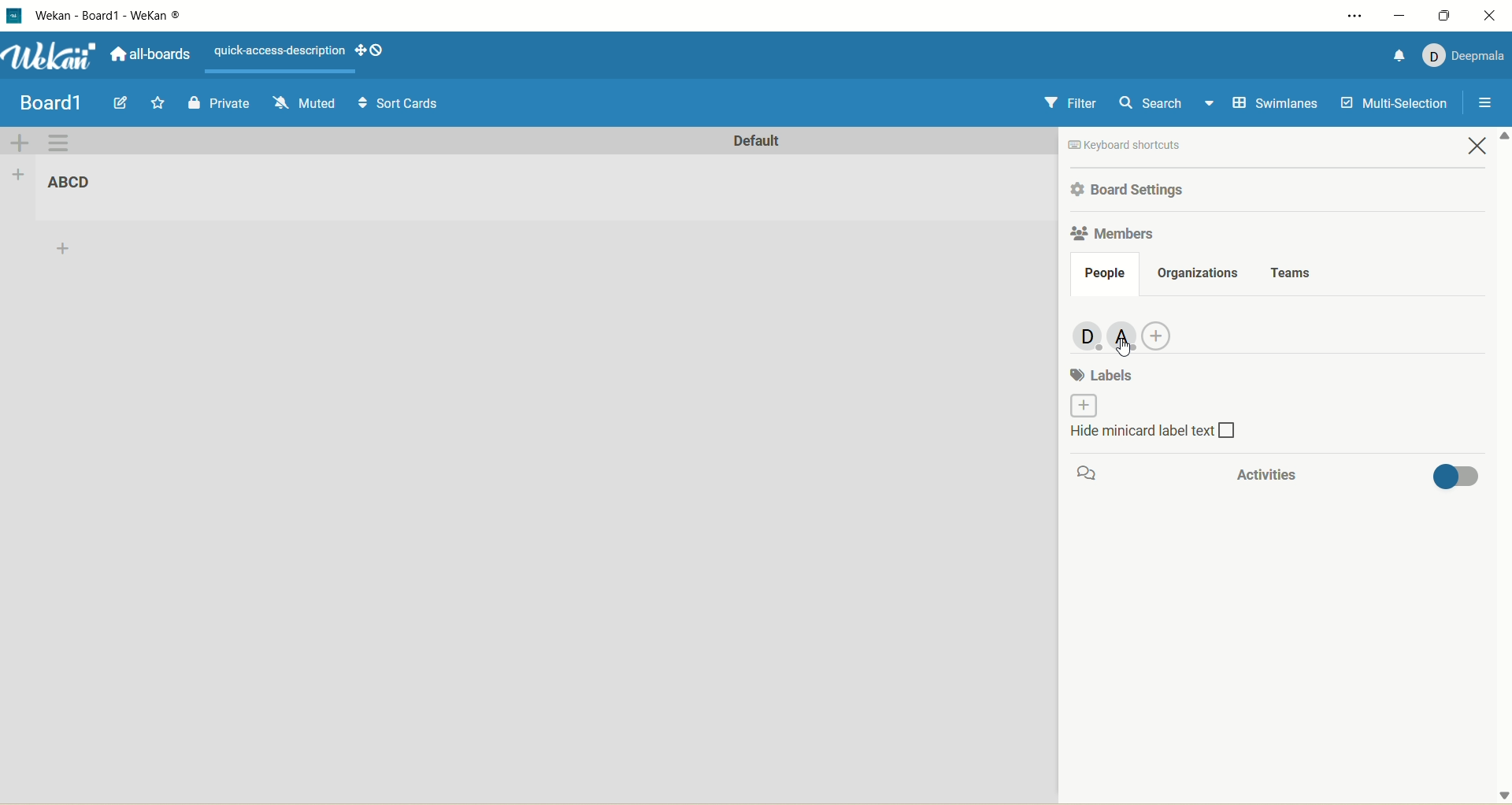 Image resolution: width=1512 pixels, height=805 pixels. I want to click on show-desktop-drag-handles, so click(360, 50).